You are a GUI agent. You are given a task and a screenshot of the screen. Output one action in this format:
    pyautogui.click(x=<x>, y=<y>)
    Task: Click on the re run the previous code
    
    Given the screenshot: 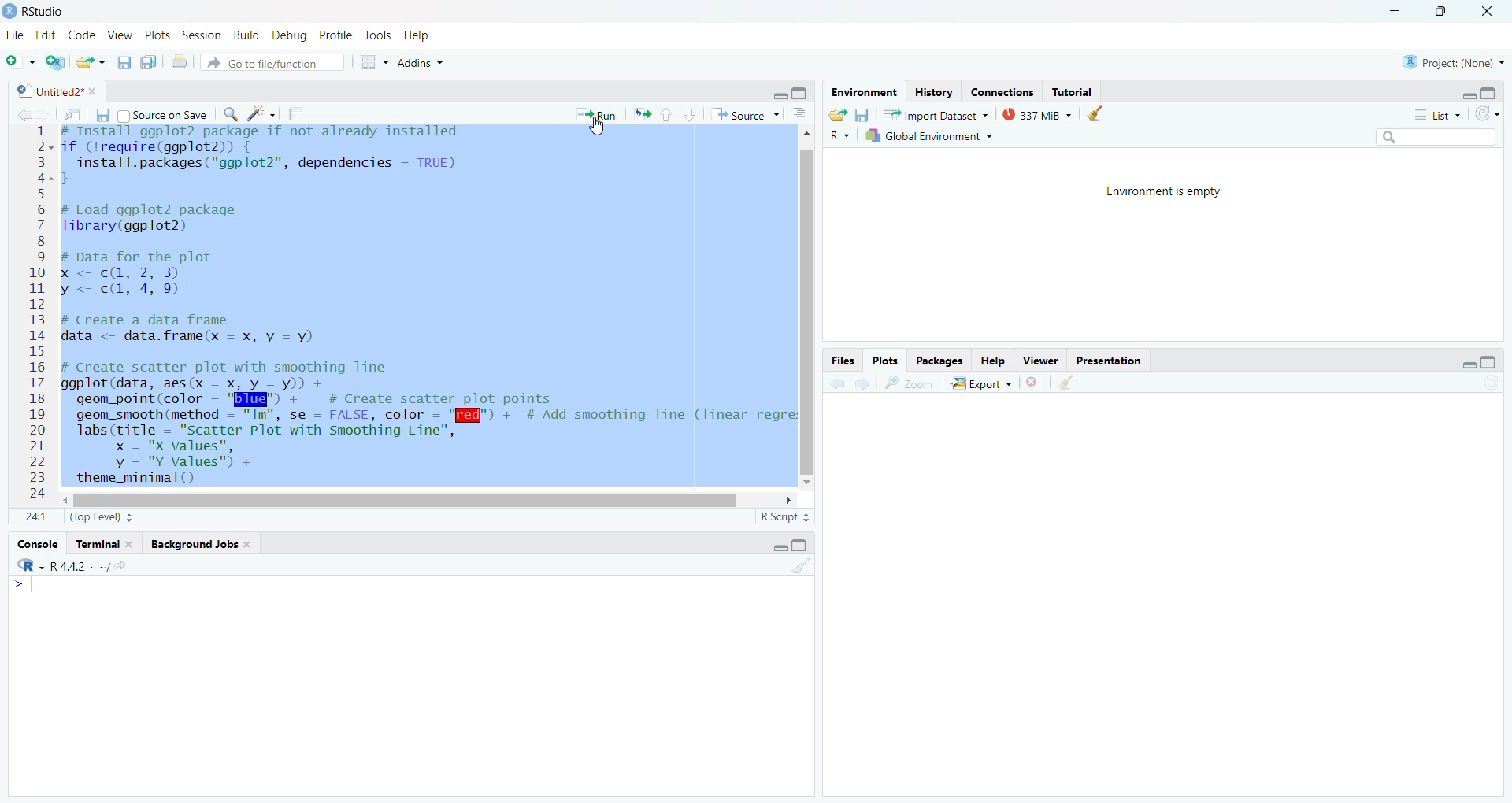 What is the action you would take?
    pyautogui.click(x=639, y=114)
    